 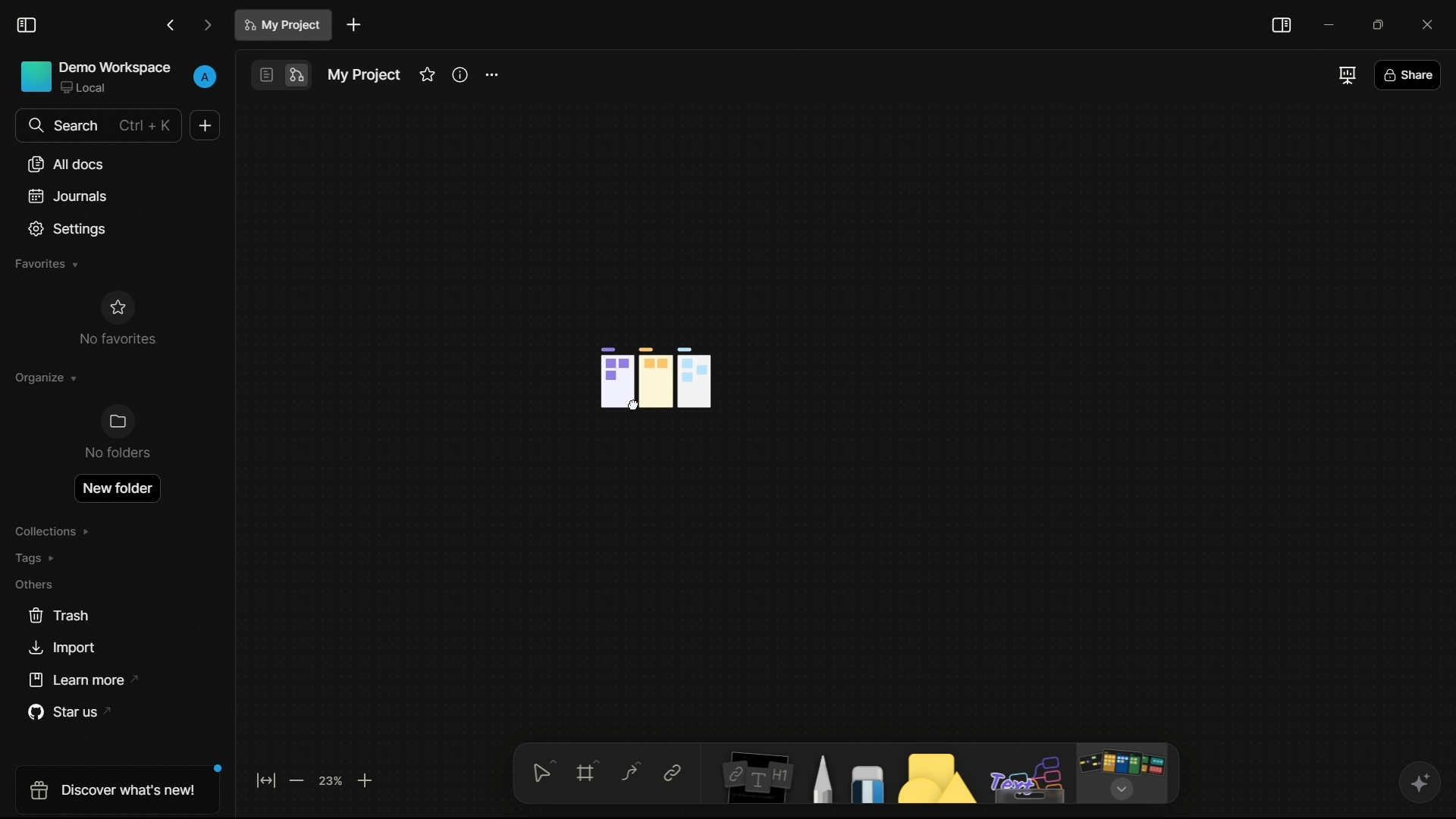 I want to click on document name, so click(x=285, y=25).